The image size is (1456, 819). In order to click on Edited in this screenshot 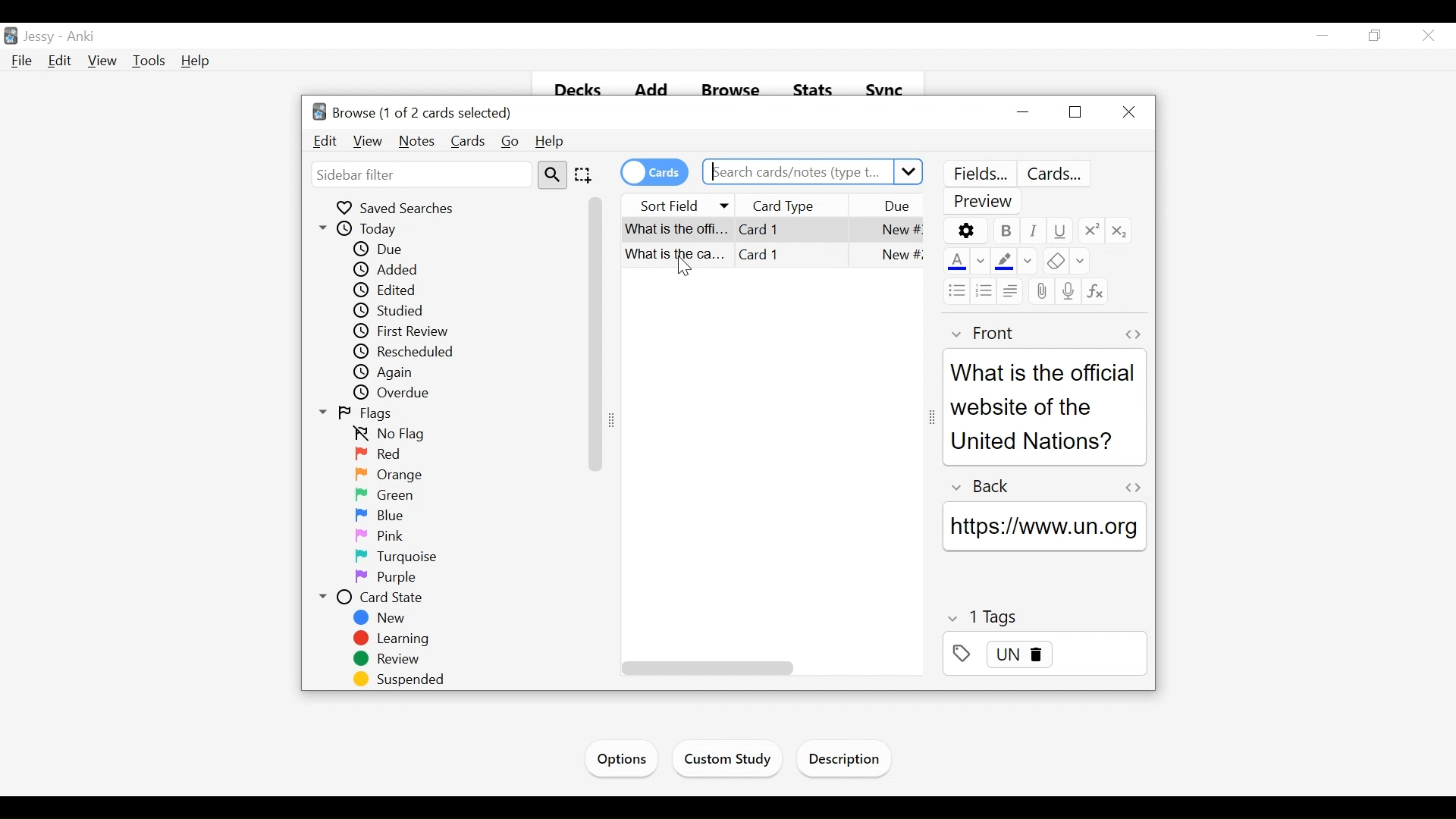, I will do `click(391, 290)`.